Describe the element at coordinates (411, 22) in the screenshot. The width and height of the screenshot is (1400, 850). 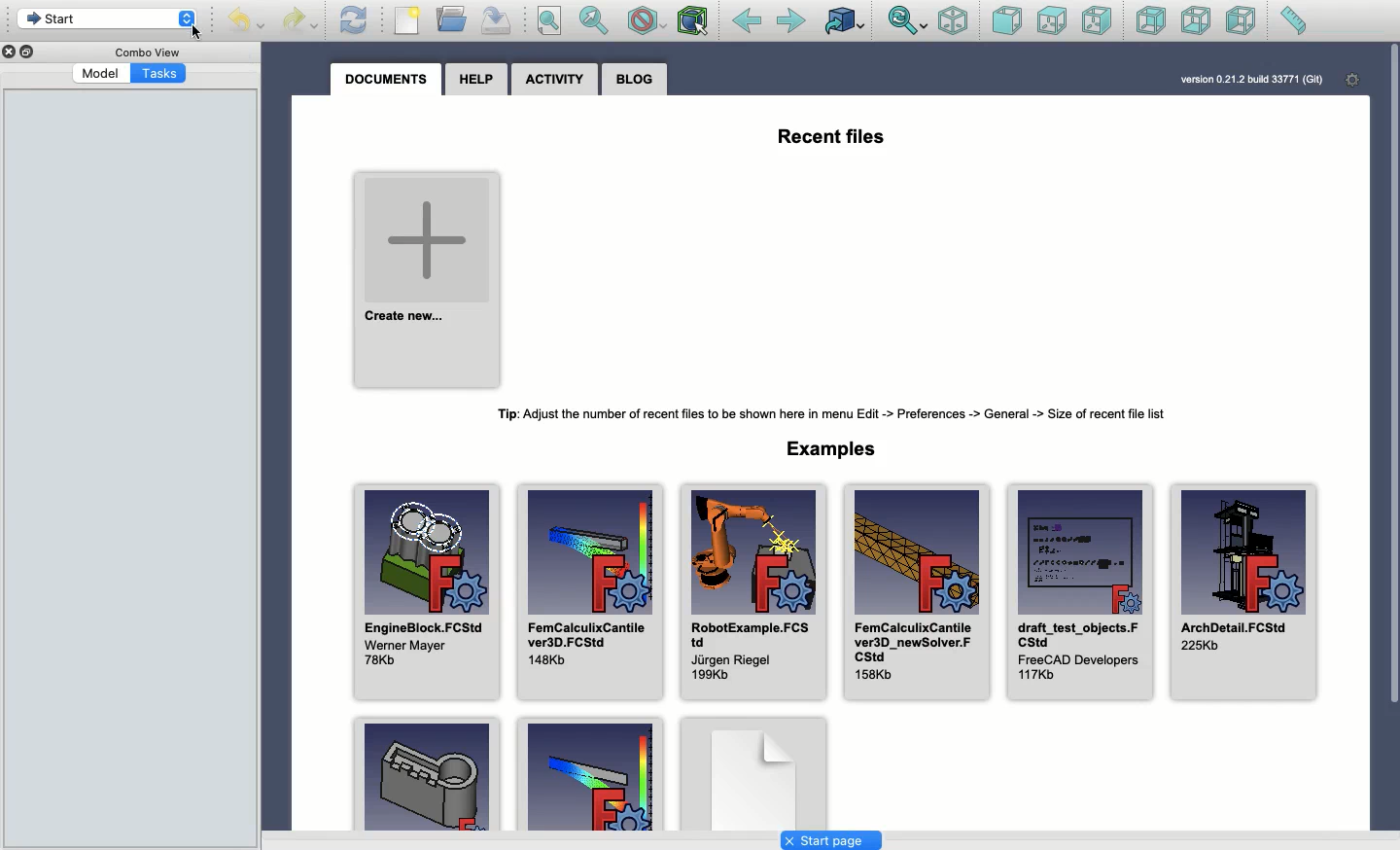
I see `New` at that location.